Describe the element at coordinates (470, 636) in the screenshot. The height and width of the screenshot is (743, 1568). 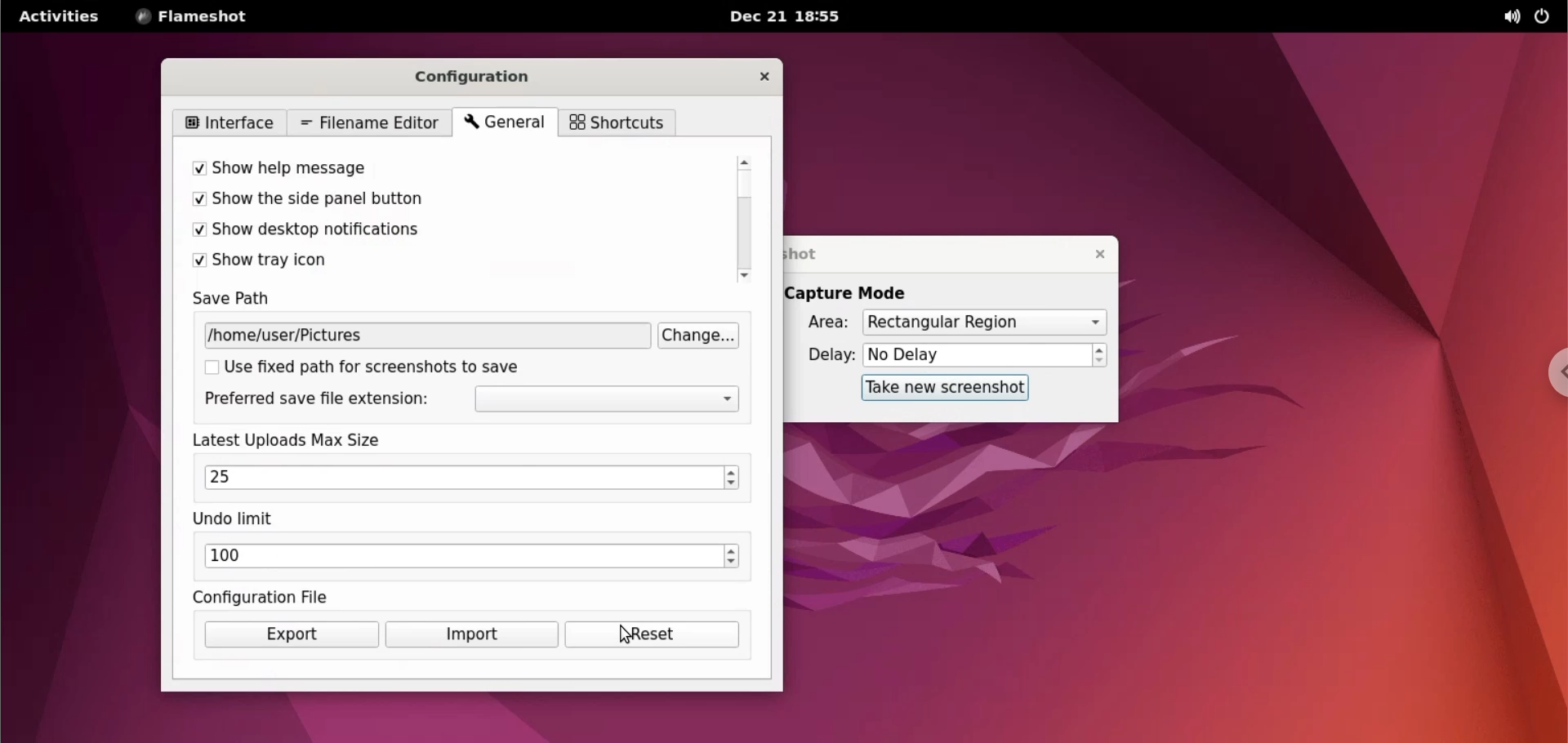
I see `import ` at that location.